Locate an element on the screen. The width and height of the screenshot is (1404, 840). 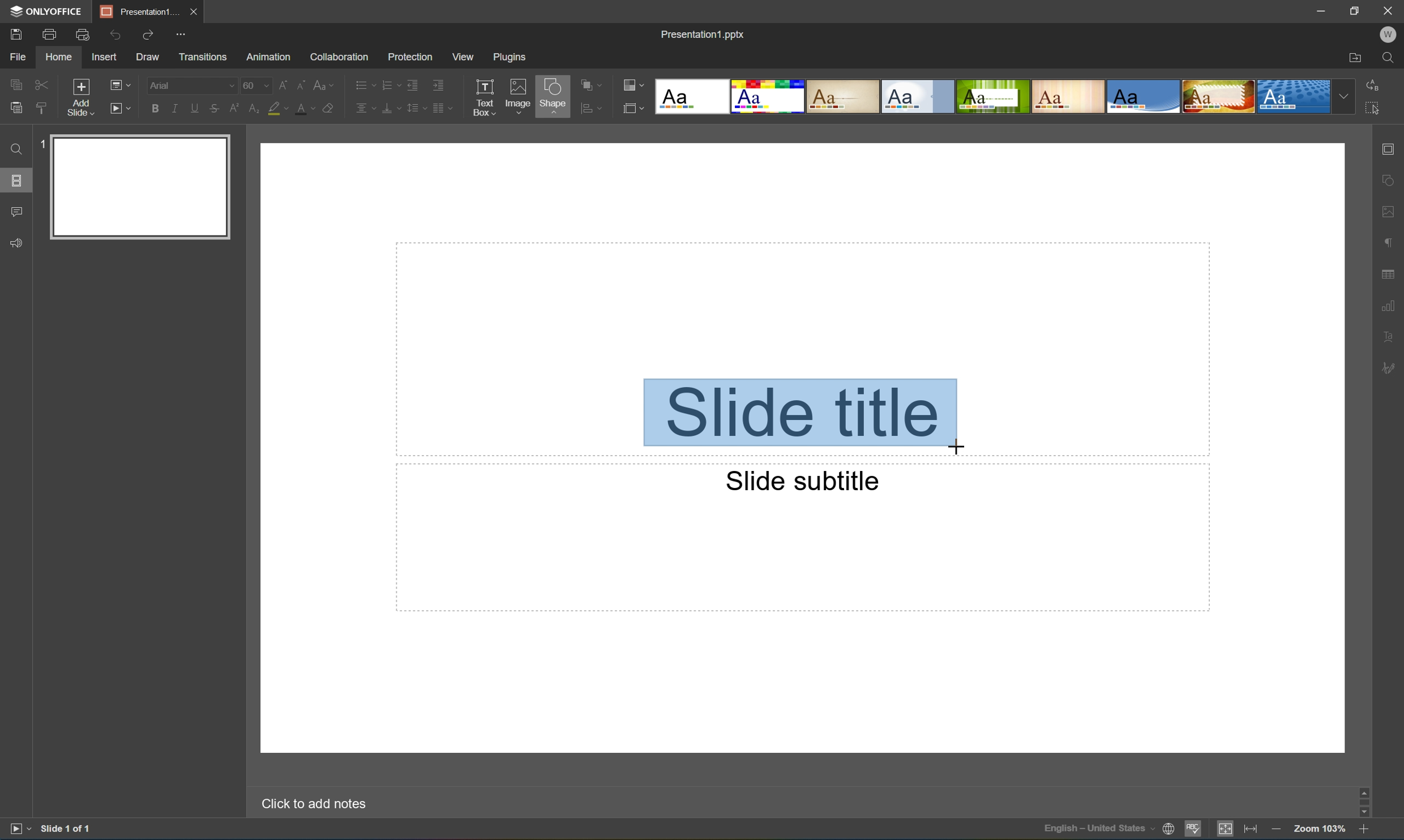
slide title is located at coordinates (801, 415).